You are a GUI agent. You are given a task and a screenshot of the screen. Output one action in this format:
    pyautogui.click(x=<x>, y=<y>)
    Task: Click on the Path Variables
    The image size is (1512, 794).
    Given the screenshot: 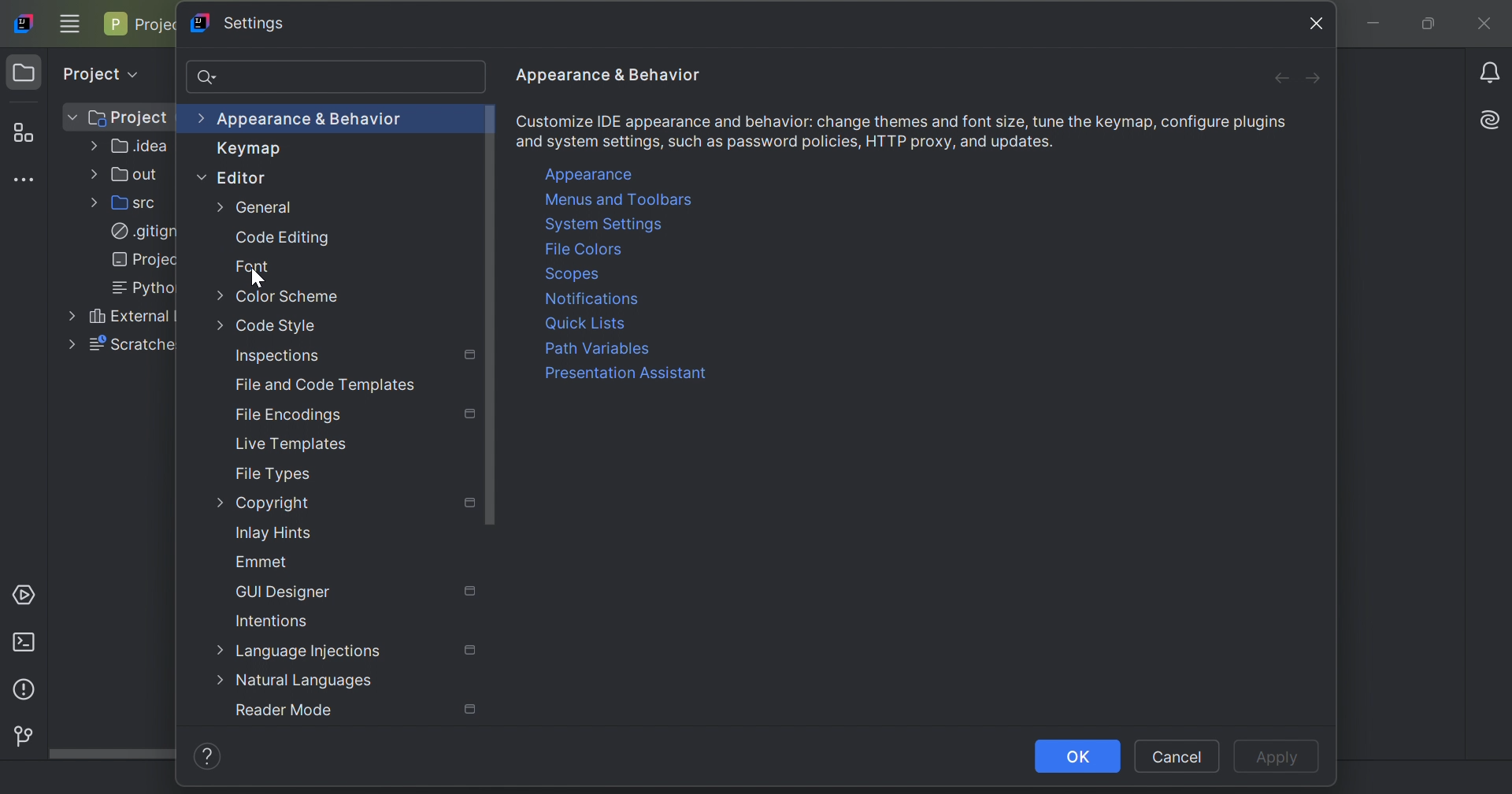 What is the action you would take?
    pyautogui.click(x=616, y=349)
    